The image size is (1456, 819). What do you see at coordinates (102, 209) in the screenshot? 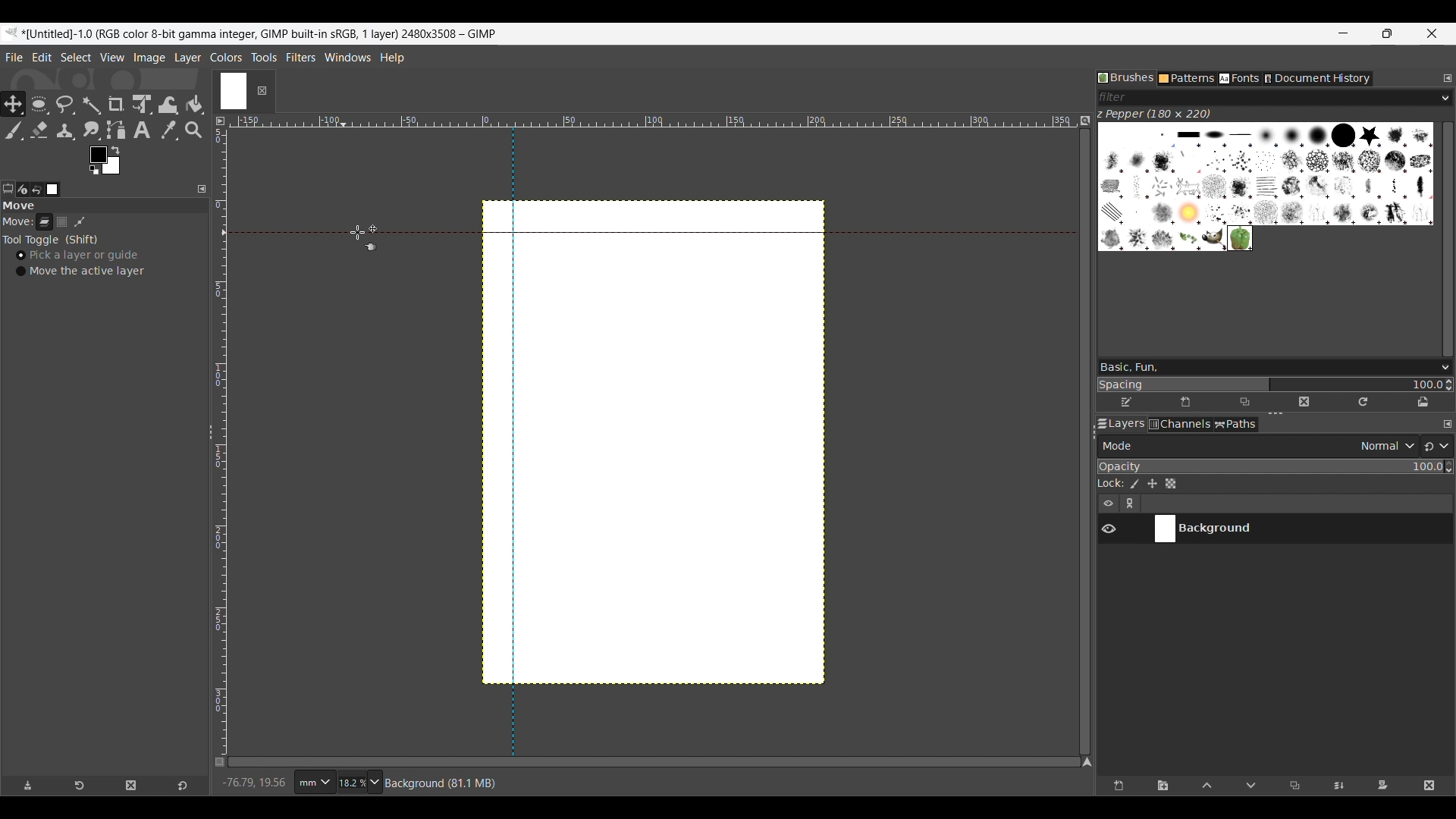
I see `Section title` at bounding box center [102, 209].